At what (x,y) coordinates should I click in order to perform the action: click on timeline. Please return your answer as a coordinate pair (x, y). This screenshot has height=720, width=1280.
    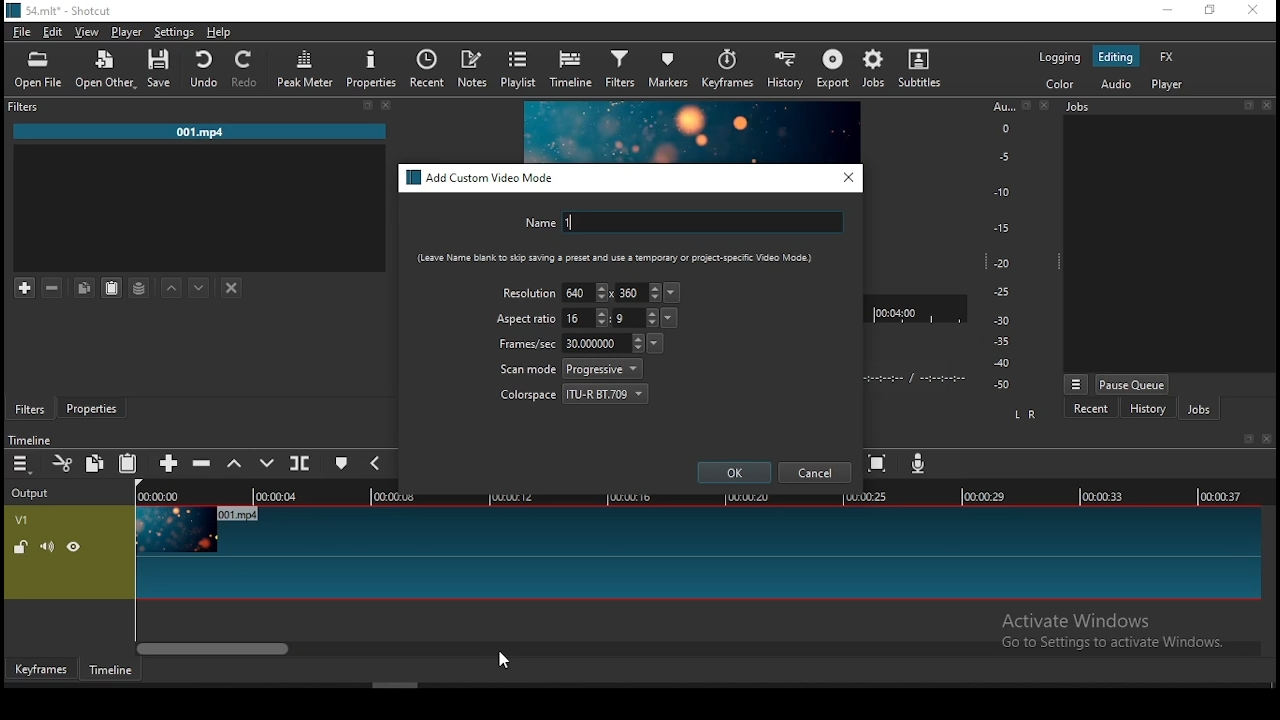
    Looking at the image, I should click on (29, 440).